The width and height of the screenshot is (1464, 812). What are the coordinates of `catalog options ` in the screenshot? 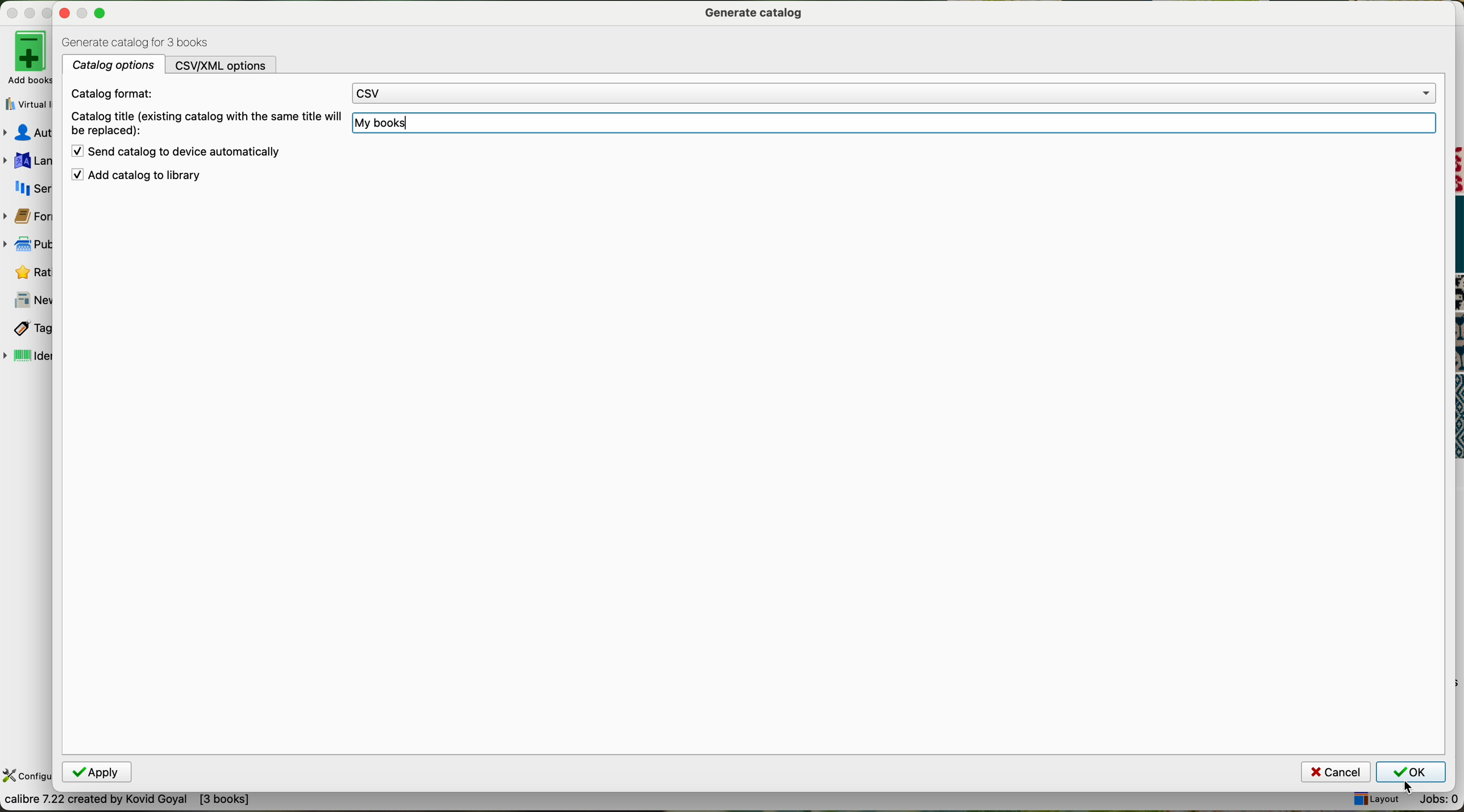 It's located at (106, 64).